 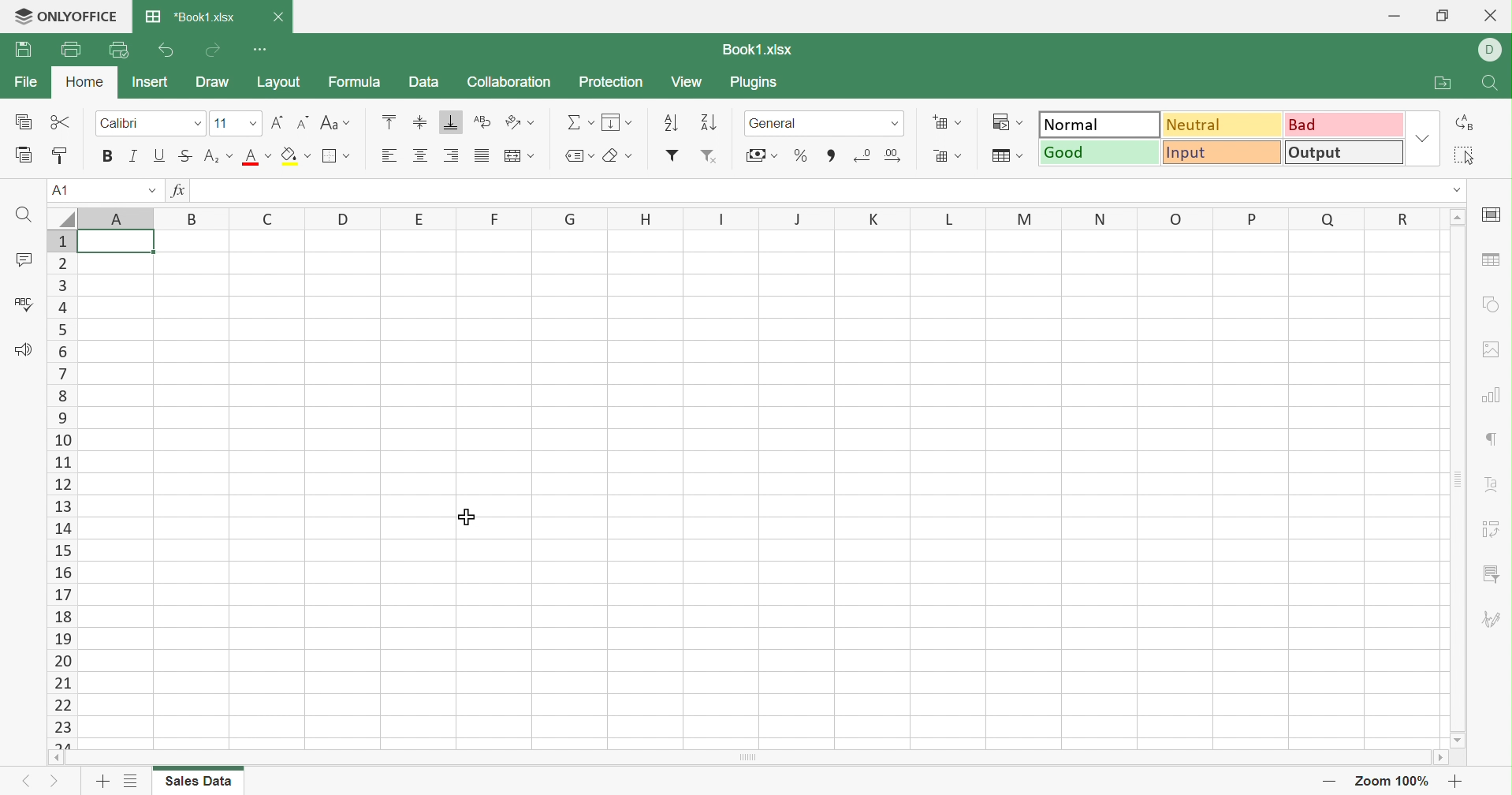 What do you see at coordinates (106, 156) in the screenshot?
I see `Bold` at bounding box center [106, 156].